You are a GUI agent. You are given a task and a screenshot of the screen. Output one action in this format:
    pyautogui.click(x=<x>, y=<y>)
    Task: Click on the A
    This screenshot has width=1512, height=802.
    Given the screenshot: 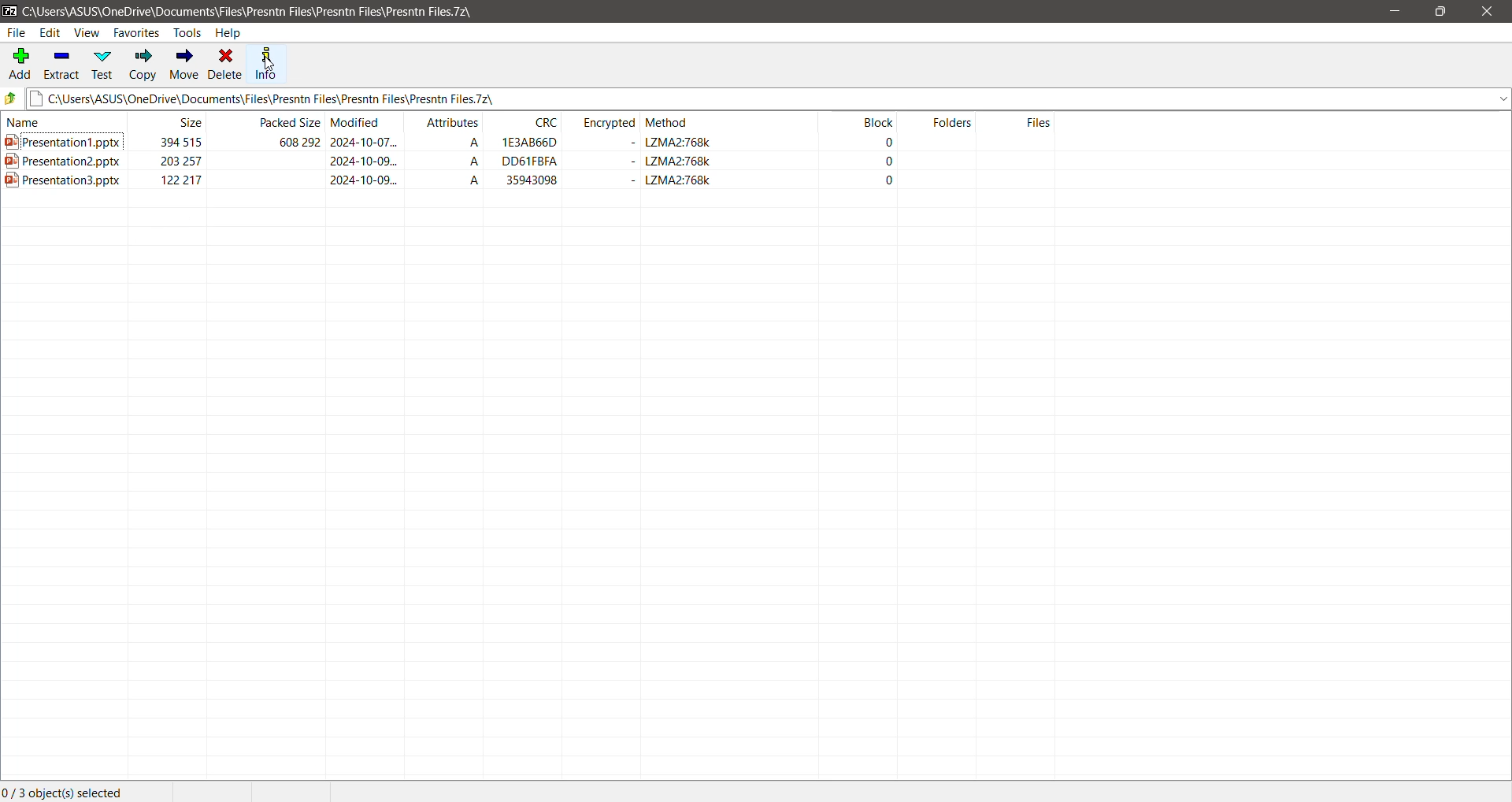 What is the action you would take?
    pyautogui.click(x=466, y=144)
    